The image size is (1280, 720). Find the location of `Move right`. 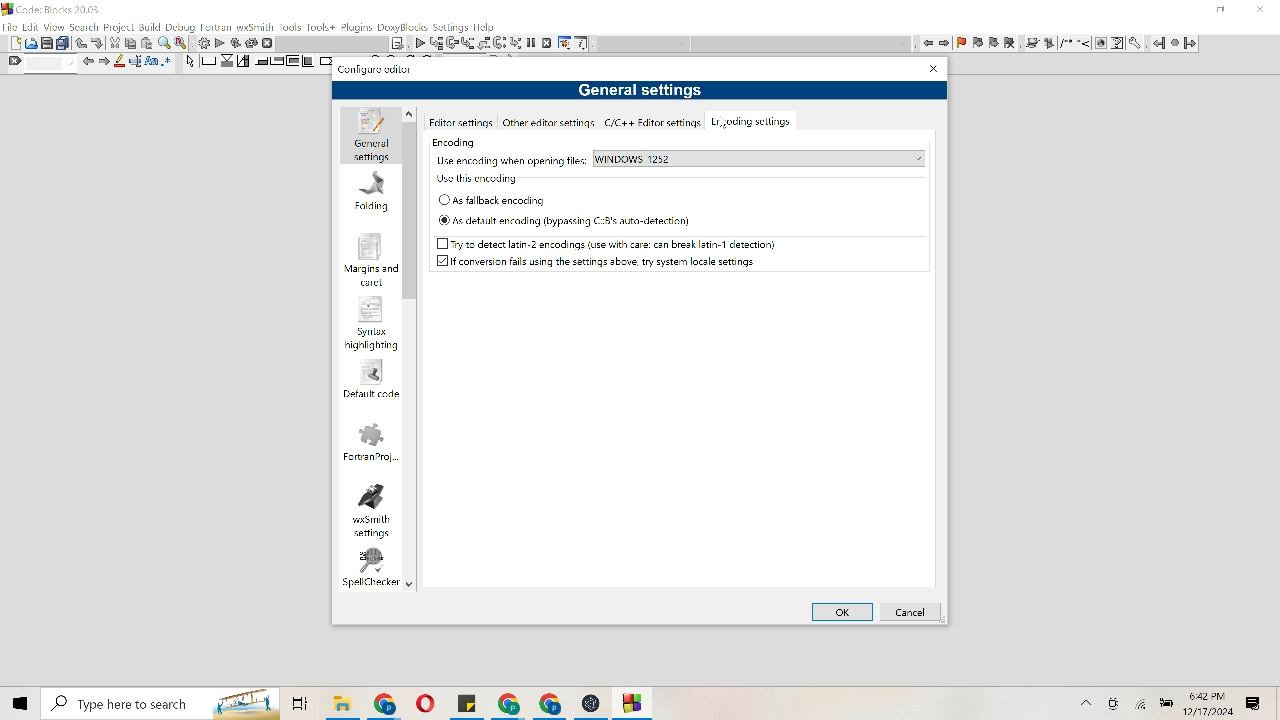

Move right is located at coordinates (105, 61).